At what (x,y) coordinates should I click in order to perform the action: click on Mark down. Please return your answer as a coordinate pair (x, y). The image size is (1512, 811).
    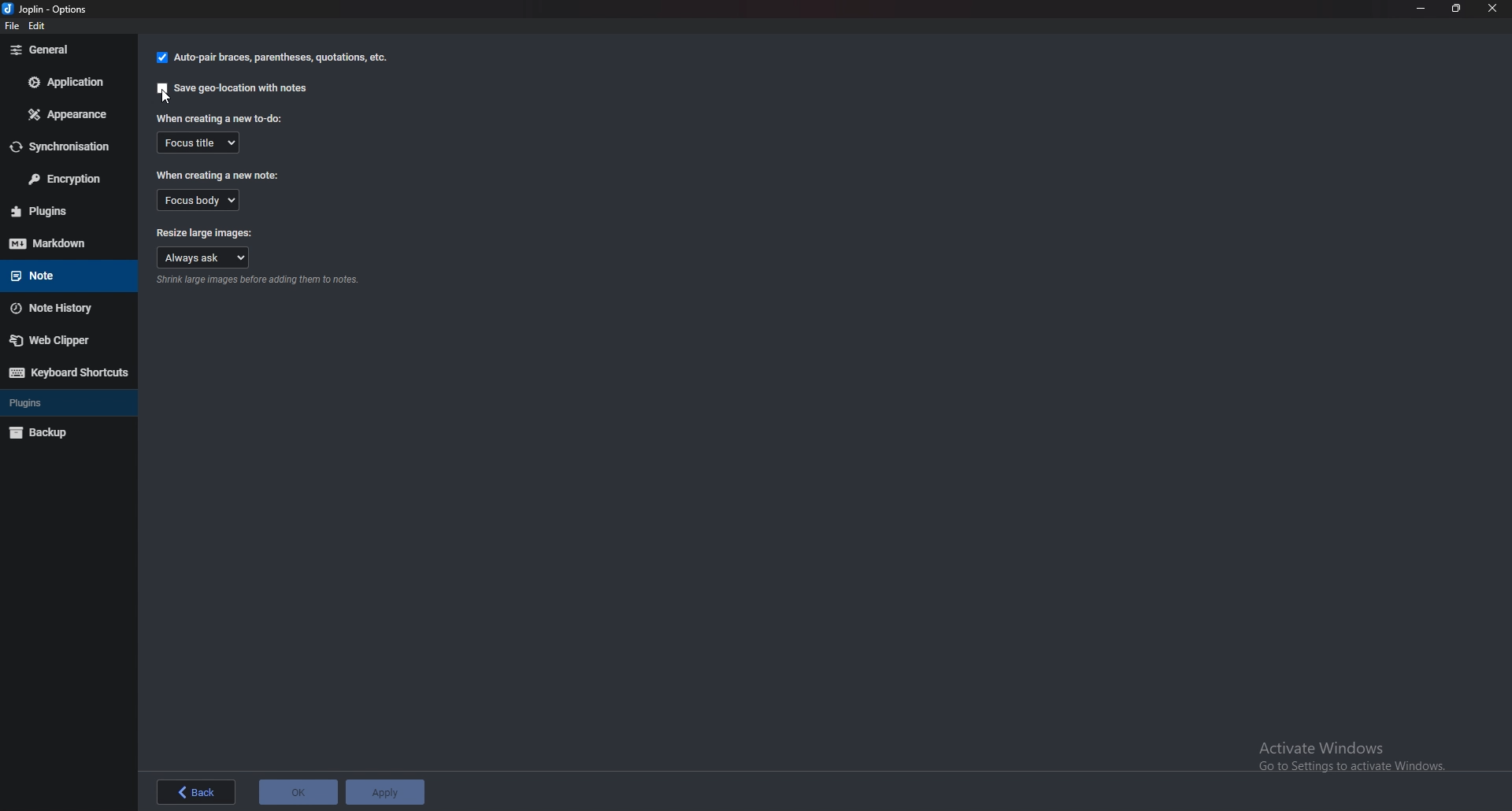
    Looking at the image, I should click on (61, 243).